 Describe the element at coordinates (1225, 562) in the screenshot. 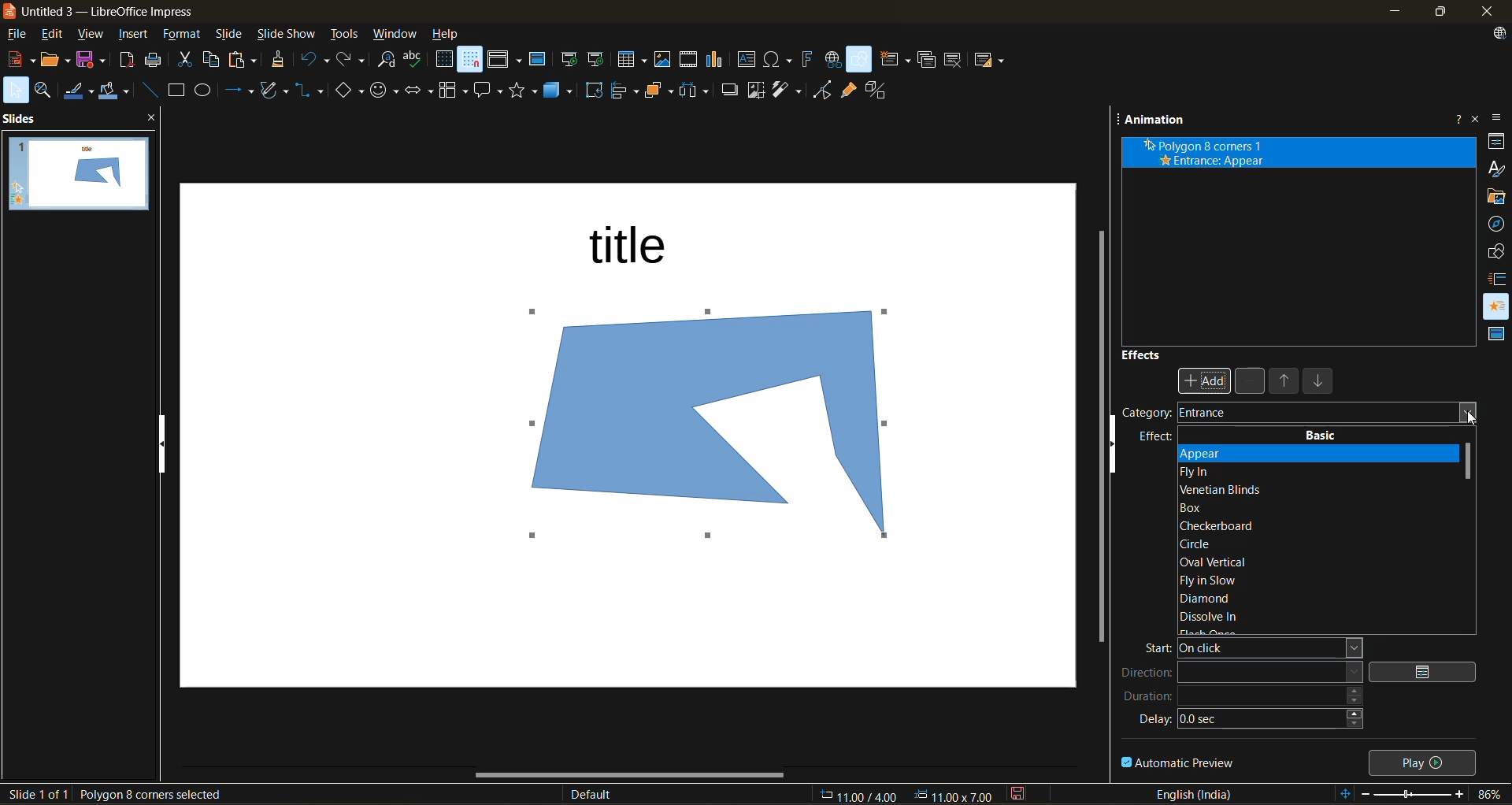

I see `oval vertical` at that location.